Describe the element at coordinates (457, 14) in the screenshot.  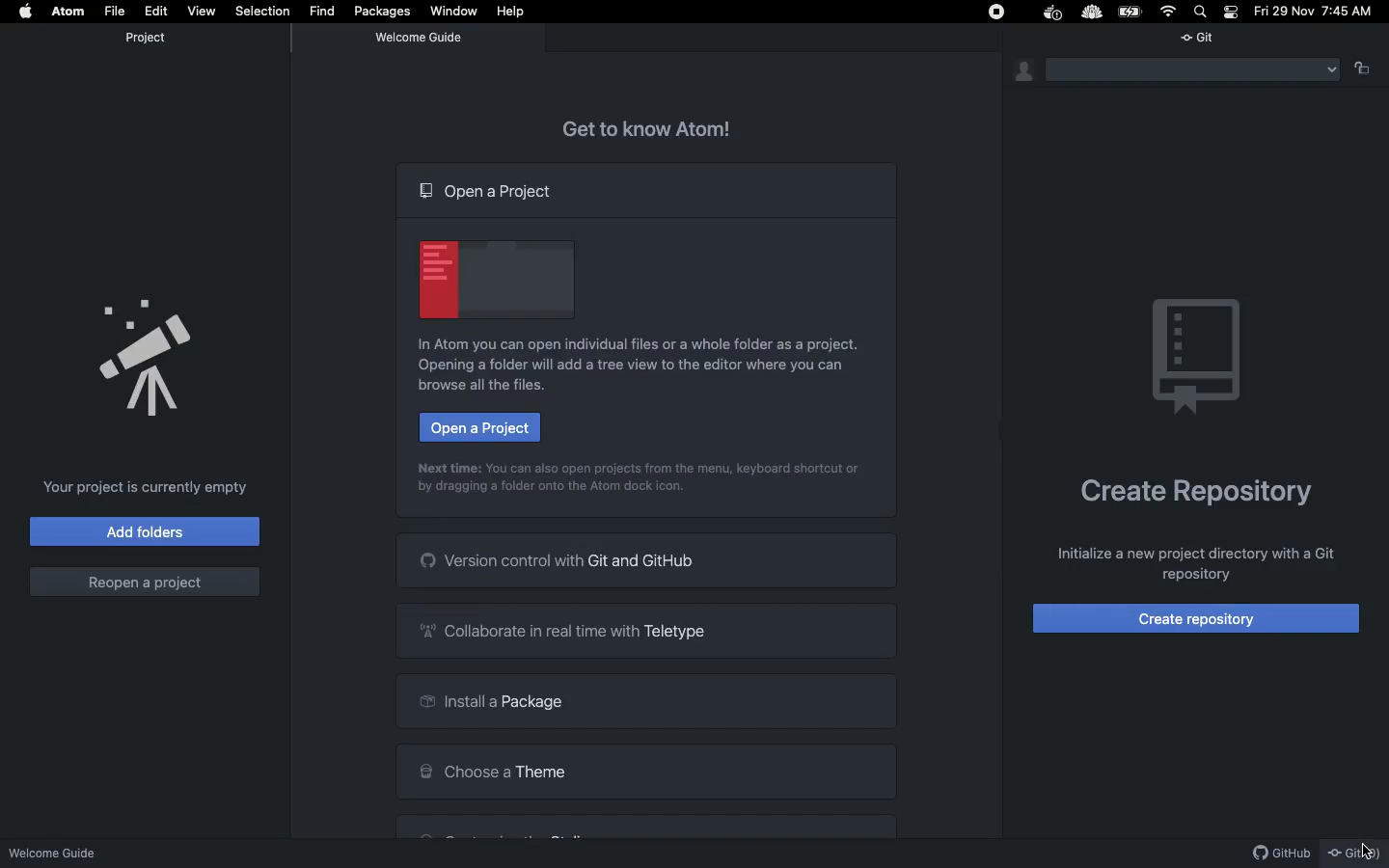
I see `Window` at that location.